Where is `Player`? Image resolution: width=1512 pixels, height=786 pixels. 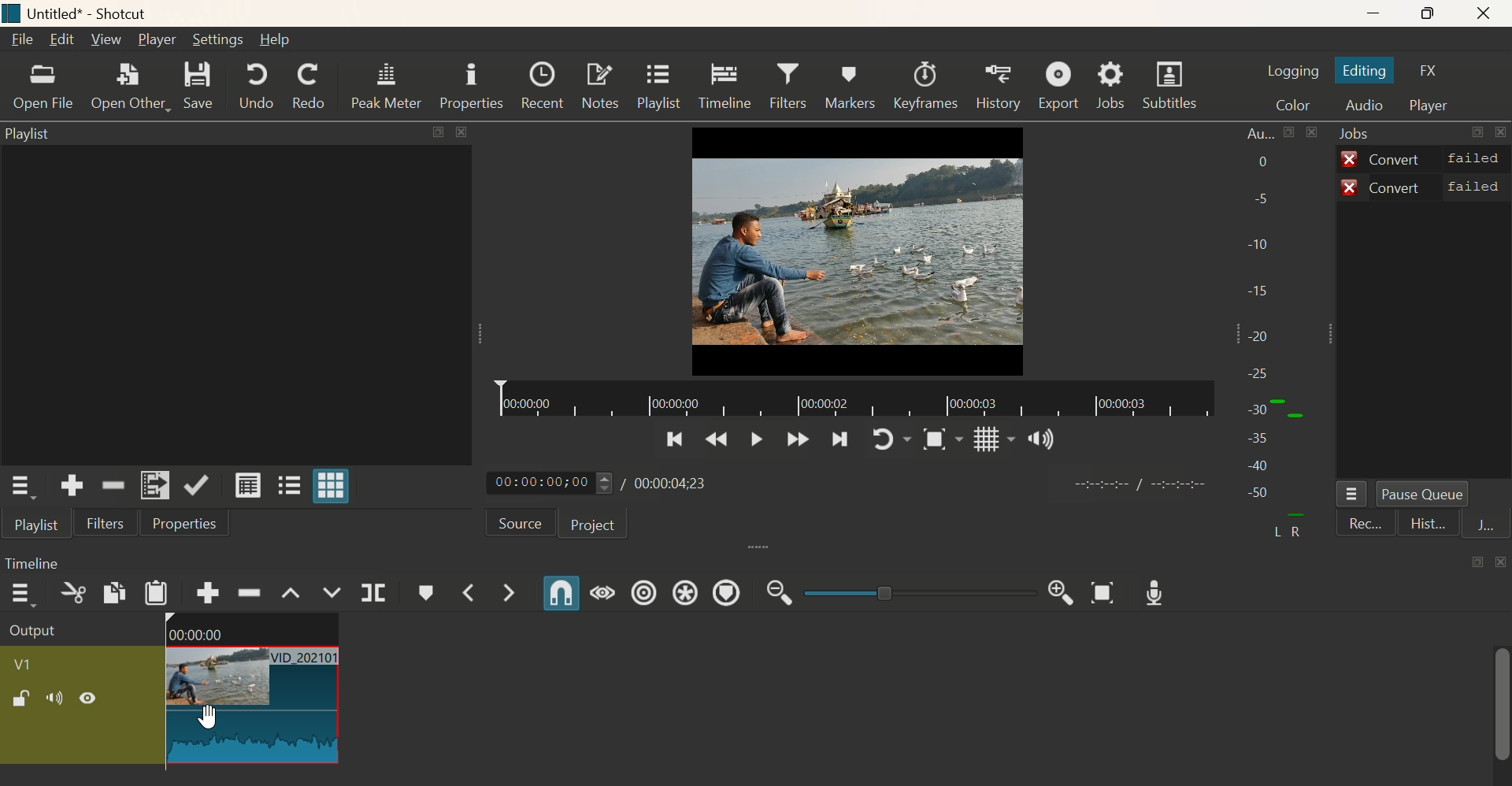
Player is located at coordinates (1432, 106).